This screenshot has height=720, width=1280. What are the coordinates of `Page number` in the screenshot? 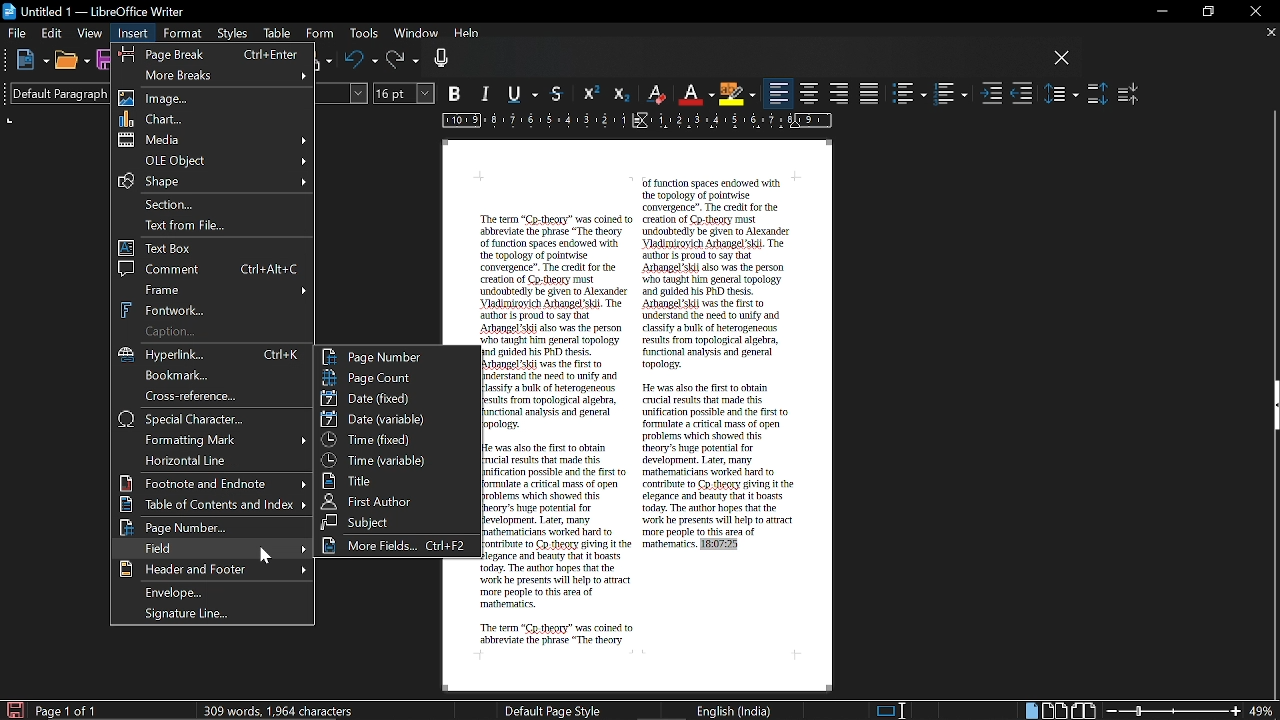 It's located at (397, 356).